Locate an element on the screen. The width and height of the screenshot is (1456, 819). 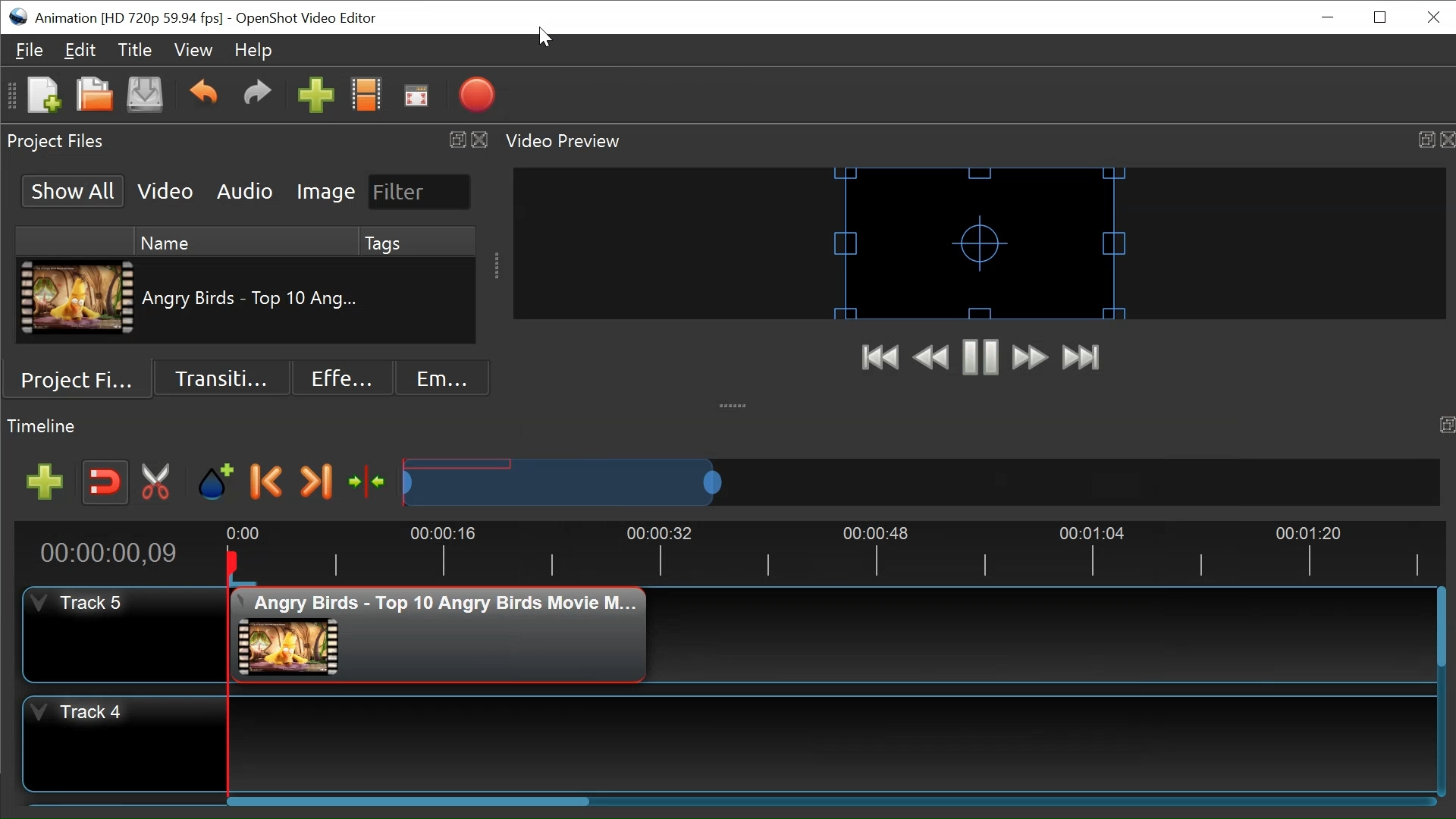
collapse is located at coordinates (733, 403).